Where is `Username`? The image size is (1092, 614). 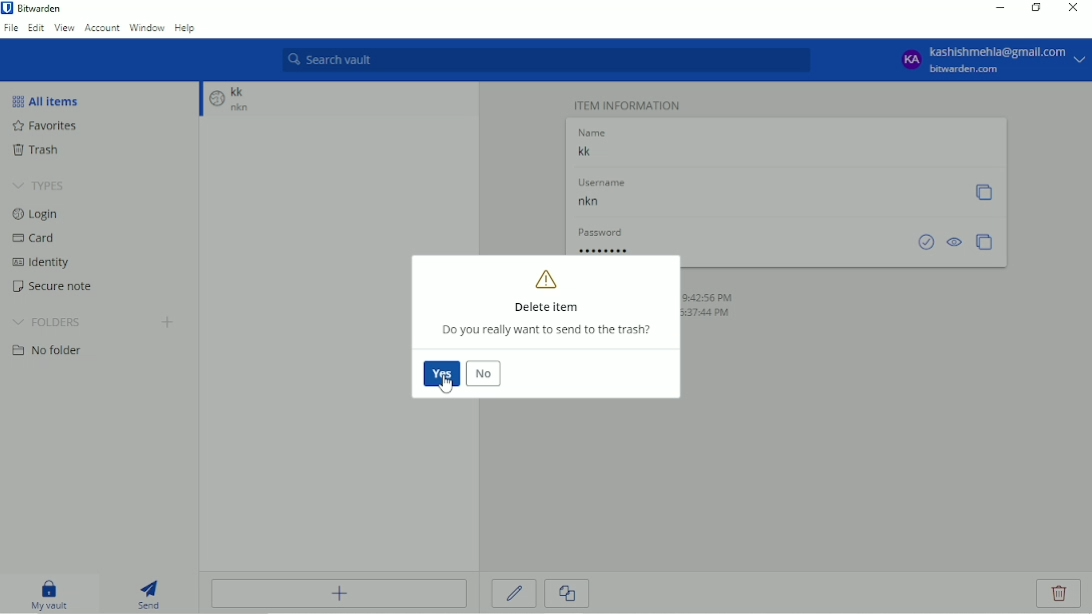
Username is located at coordinates (761, 203).